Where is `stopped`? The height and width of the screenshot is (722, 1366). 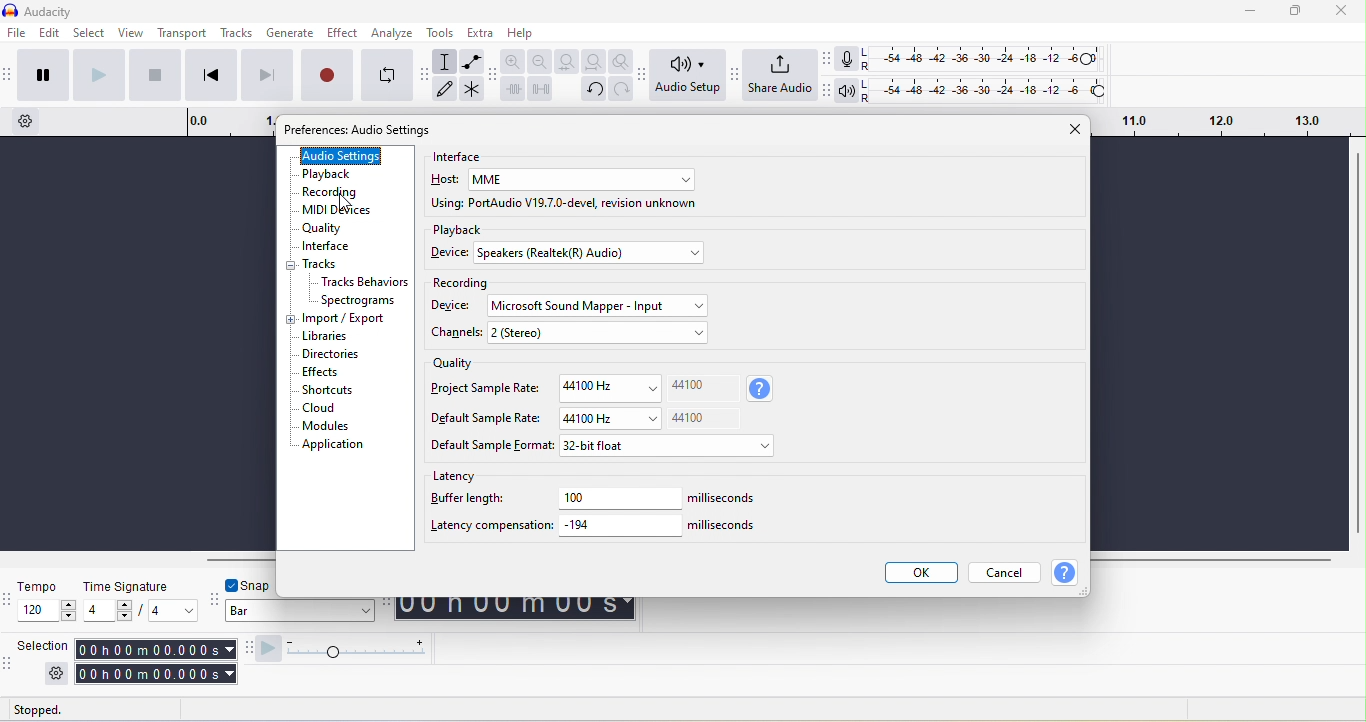 stopped is located at coordinates (62, 711).